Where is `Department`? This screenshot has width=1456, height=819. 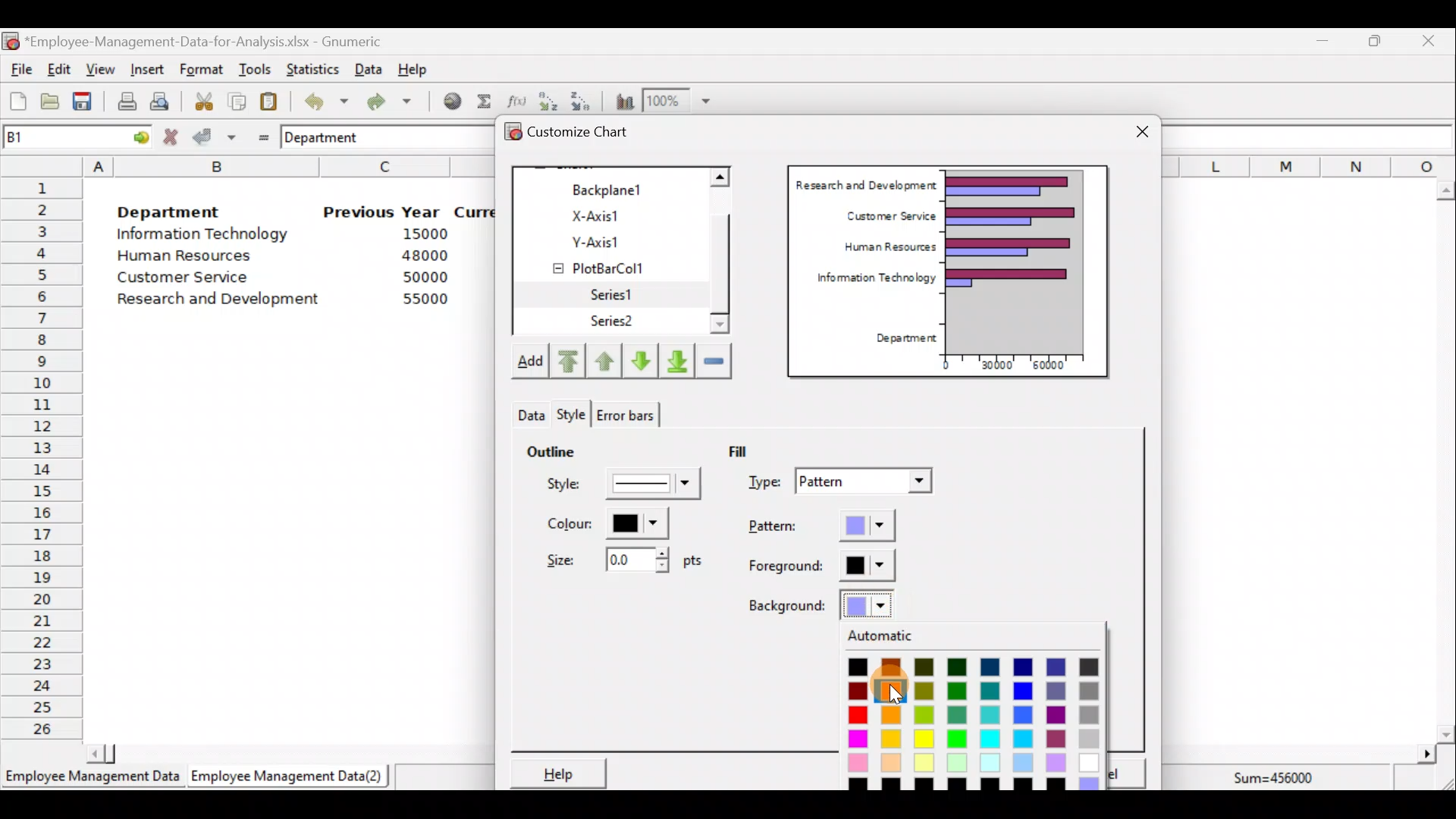 Department is located at coordinates (168, 208).